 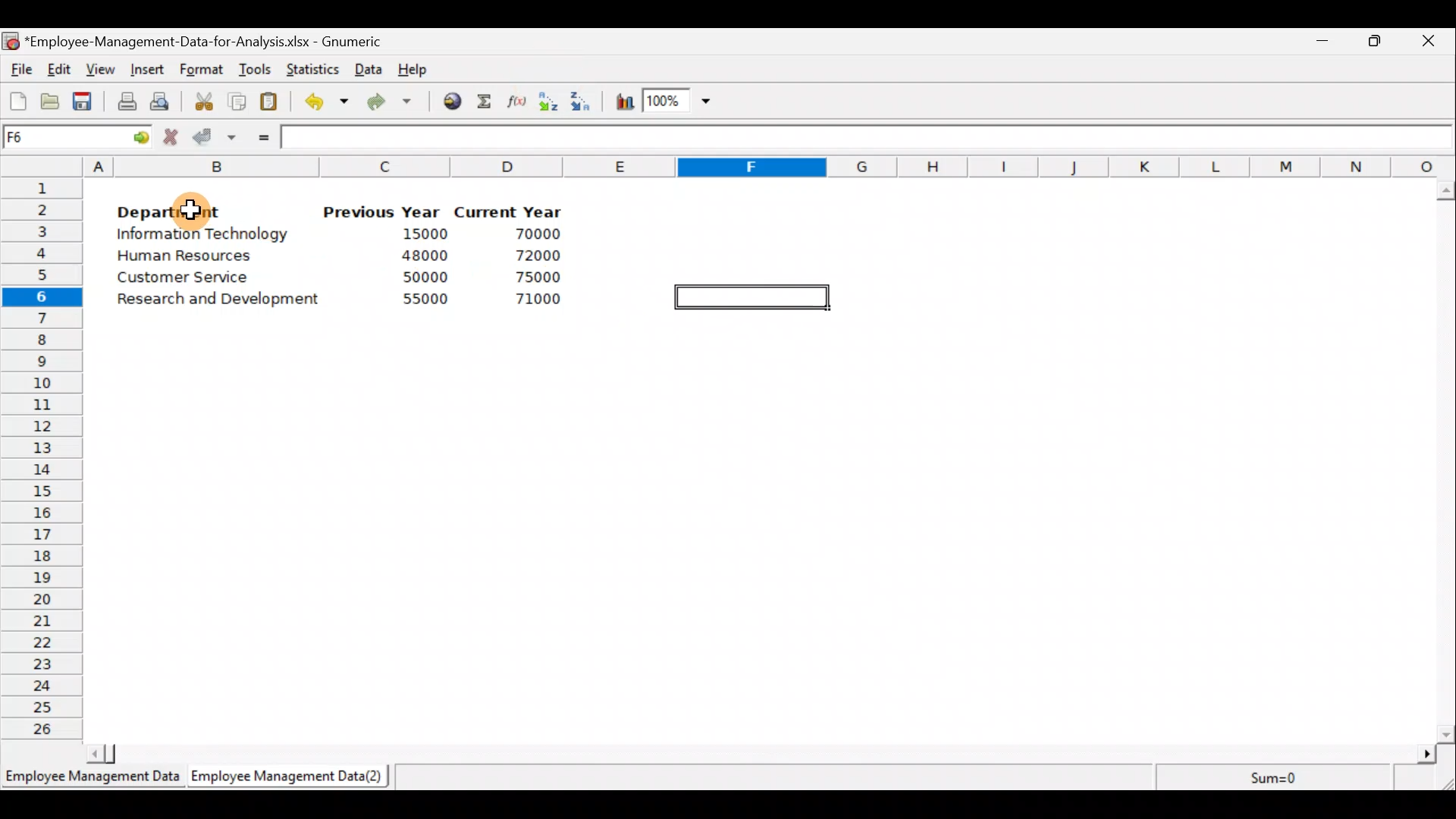 What do you see at coordinates (1427, 43) in the screenshot?
I see `Close` at bounding box center [1427, 43].